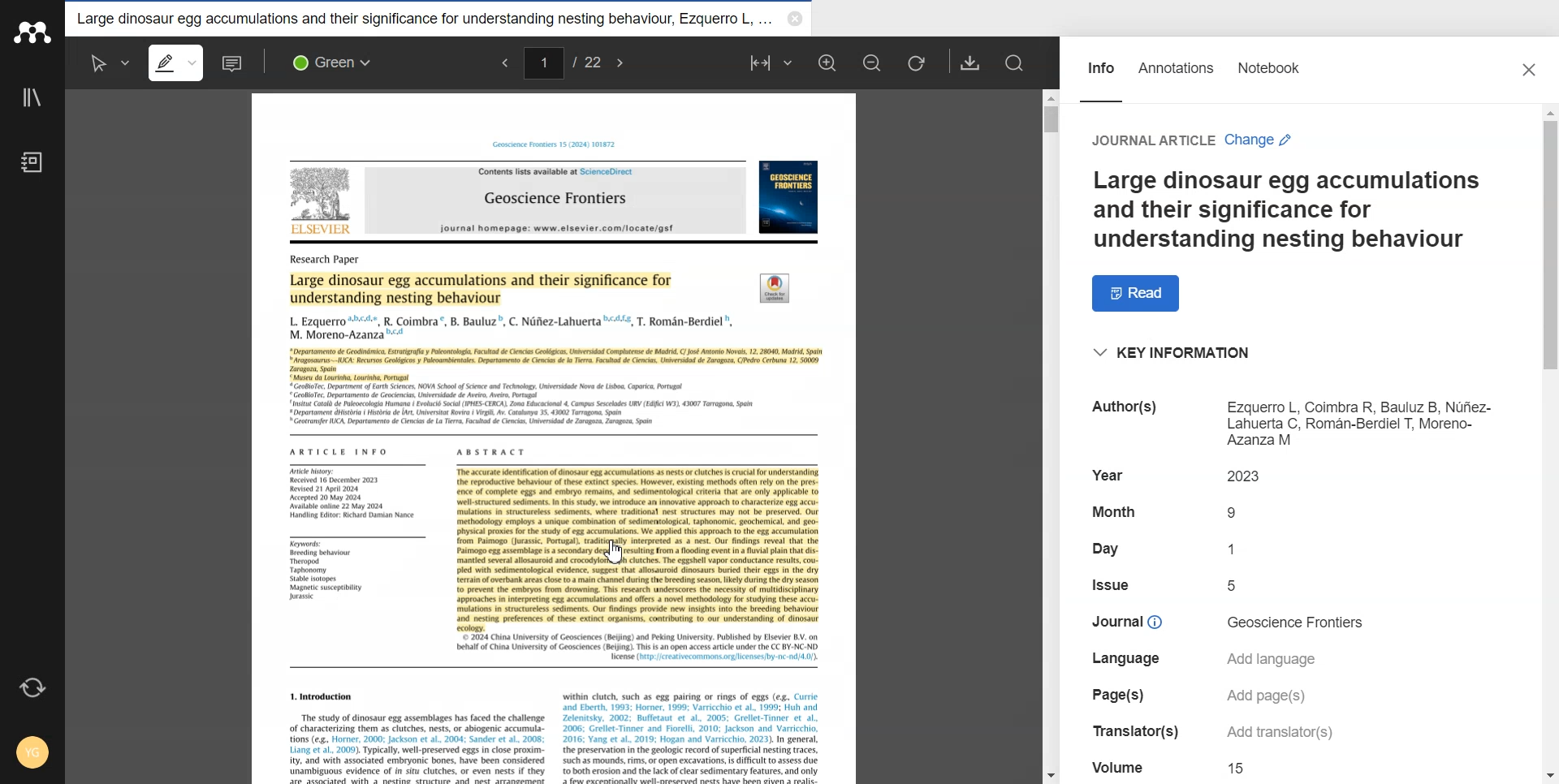 The height and width of the screenshot is (784, 1559). Describe the element at coordinates (1237, 547) in the screenshot. I see `text` at that location.